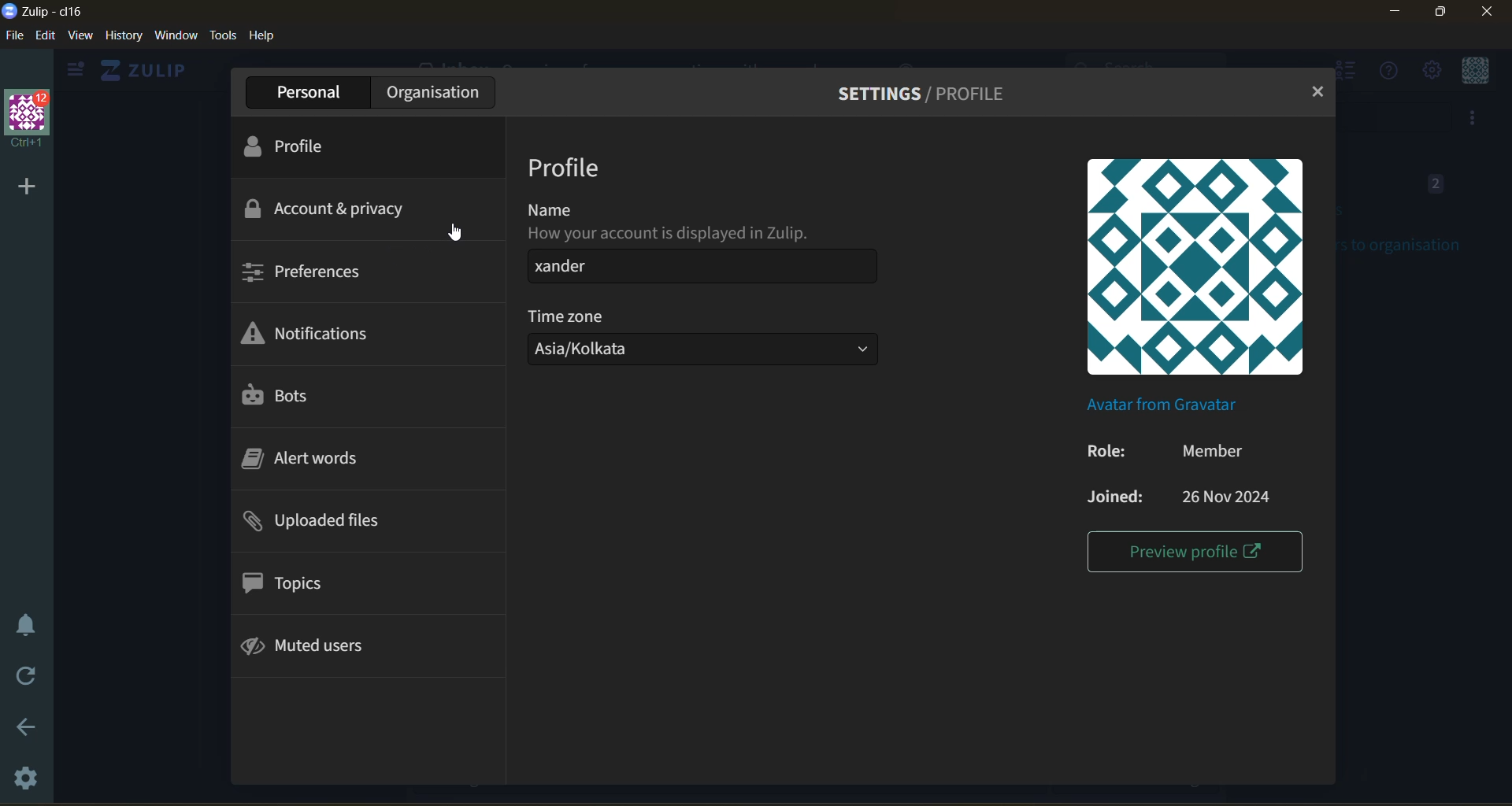 Image resolution: width=1512 pixels, height=806 pixels. Describe the element at coordinates (1490, 12) in the screenshot. I see `close` at that location.